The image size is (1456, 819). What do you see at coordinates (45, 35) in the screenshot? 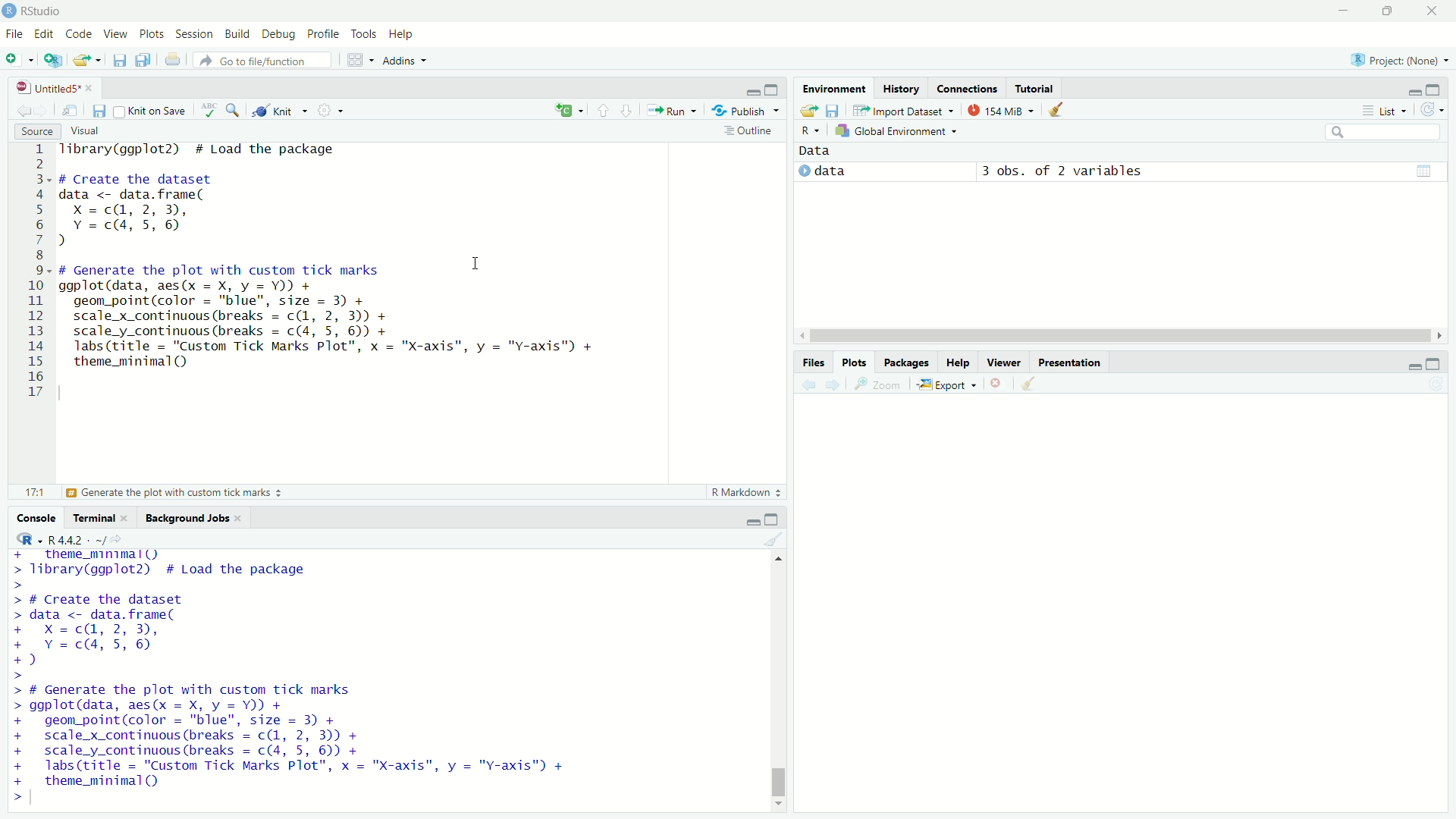
I see `edit` at bounding box center [45, 35].